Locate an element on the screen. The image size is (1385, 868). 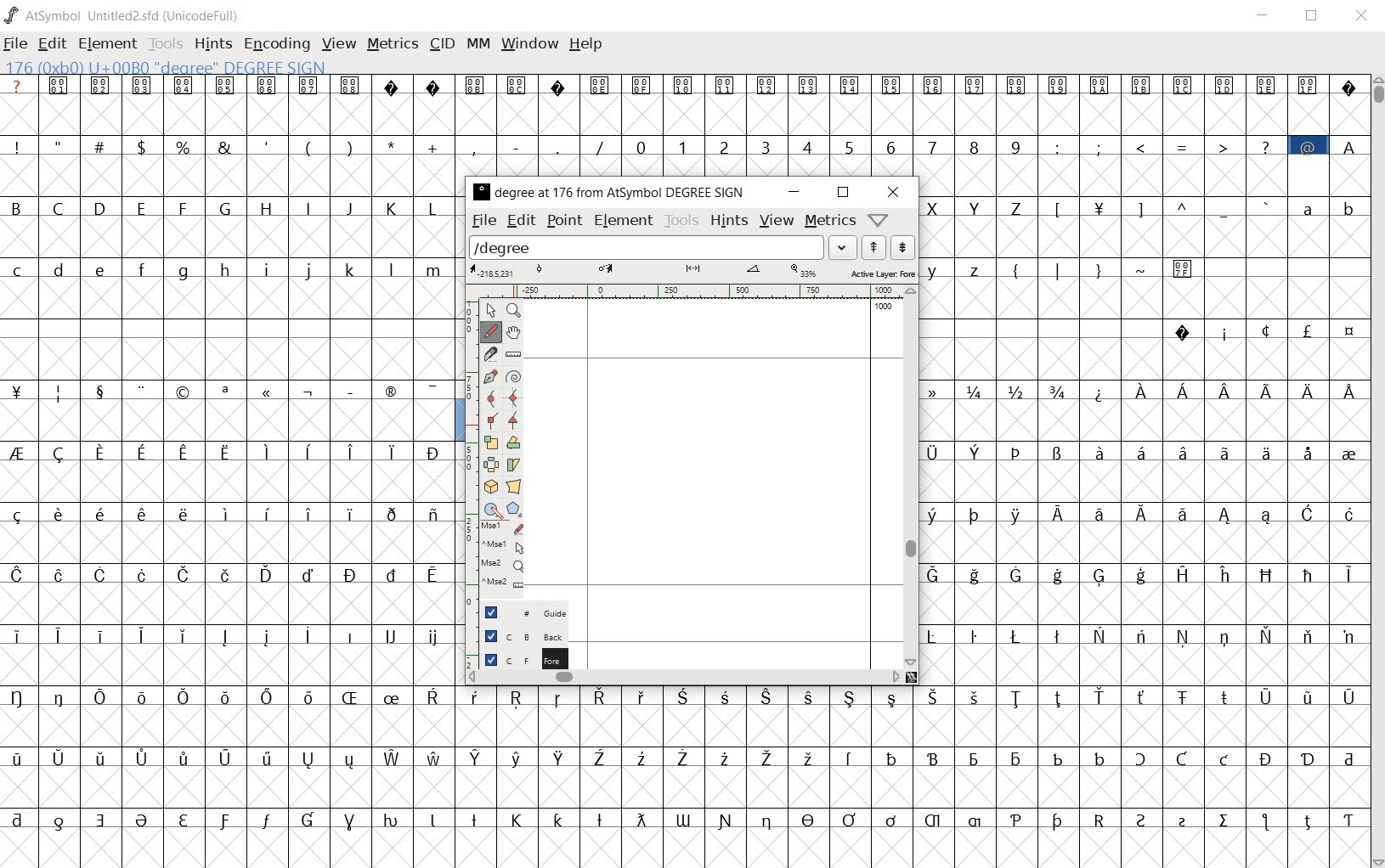
empty glyph slots is located at coordinates (1146, 605).